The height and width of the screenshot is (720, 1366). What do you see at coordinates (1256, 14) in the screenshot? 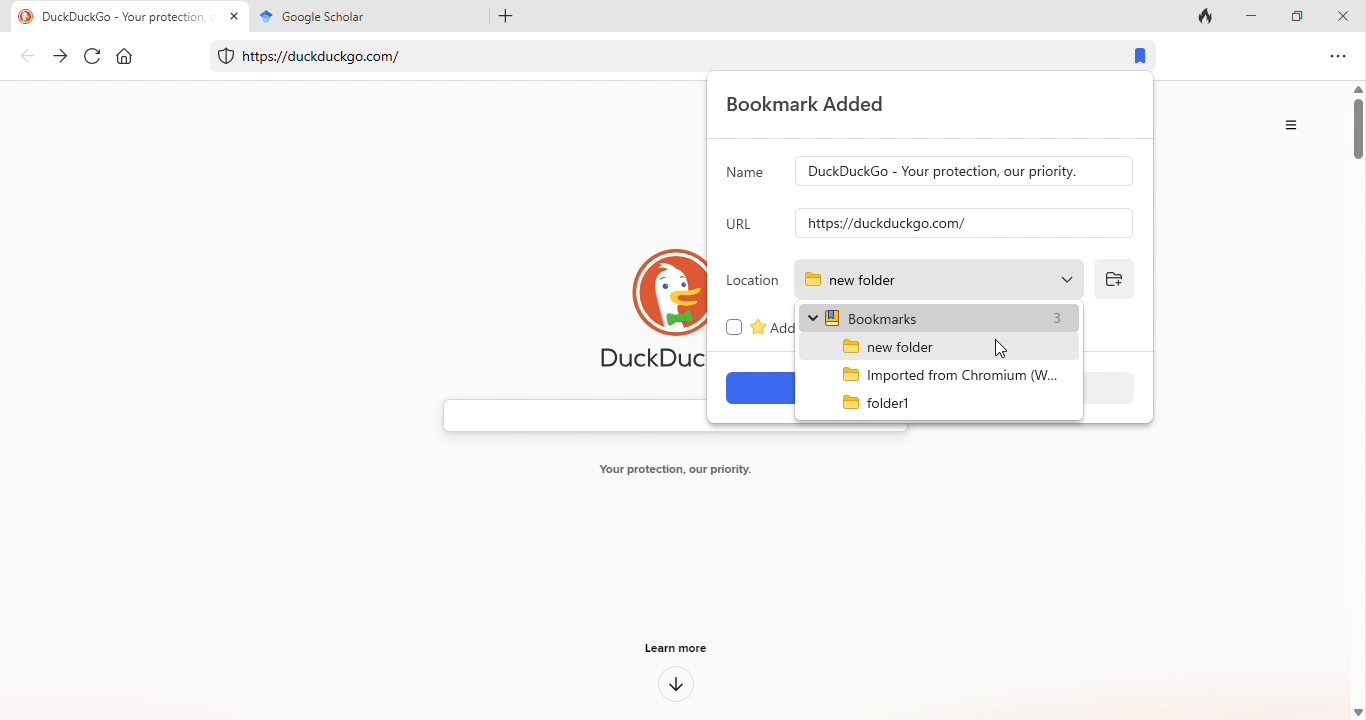
I see `minimize` at bounding box center [1256, 14].